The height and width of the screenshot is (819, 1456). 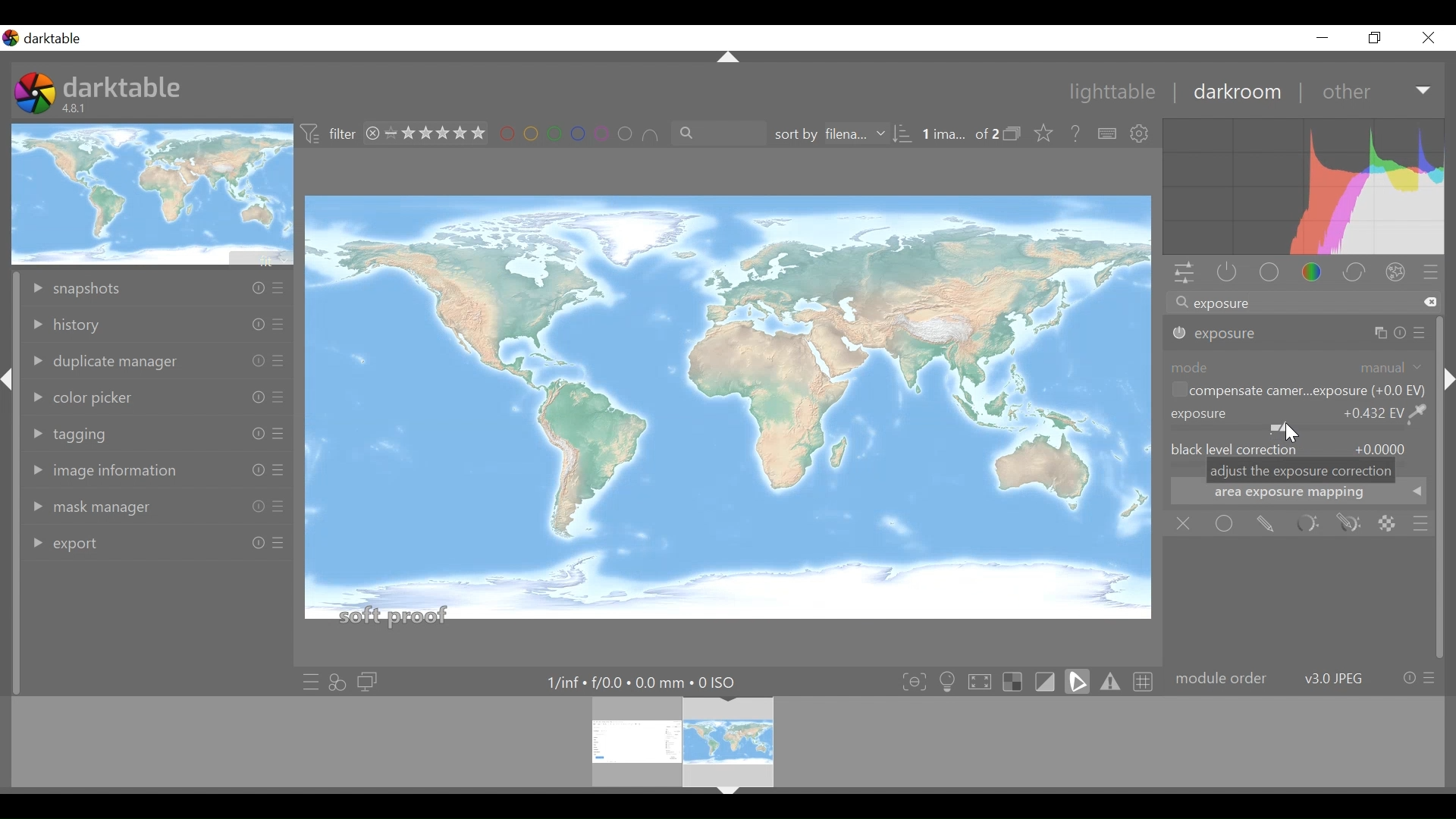 I want to click on effect , so click(x=1399, y=275).